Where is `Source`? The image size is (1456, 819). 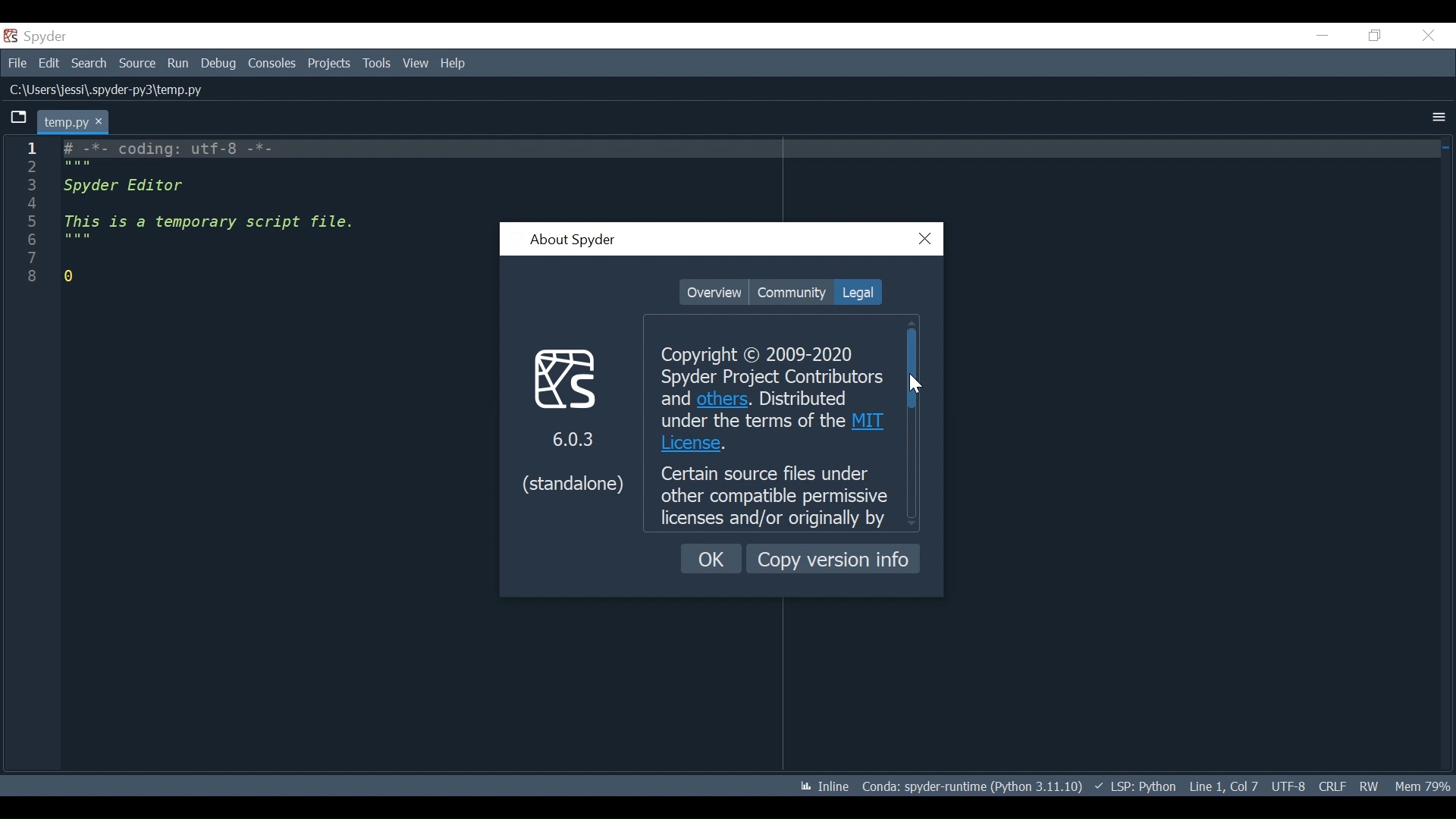
Source is located at coordinates (137, 64).